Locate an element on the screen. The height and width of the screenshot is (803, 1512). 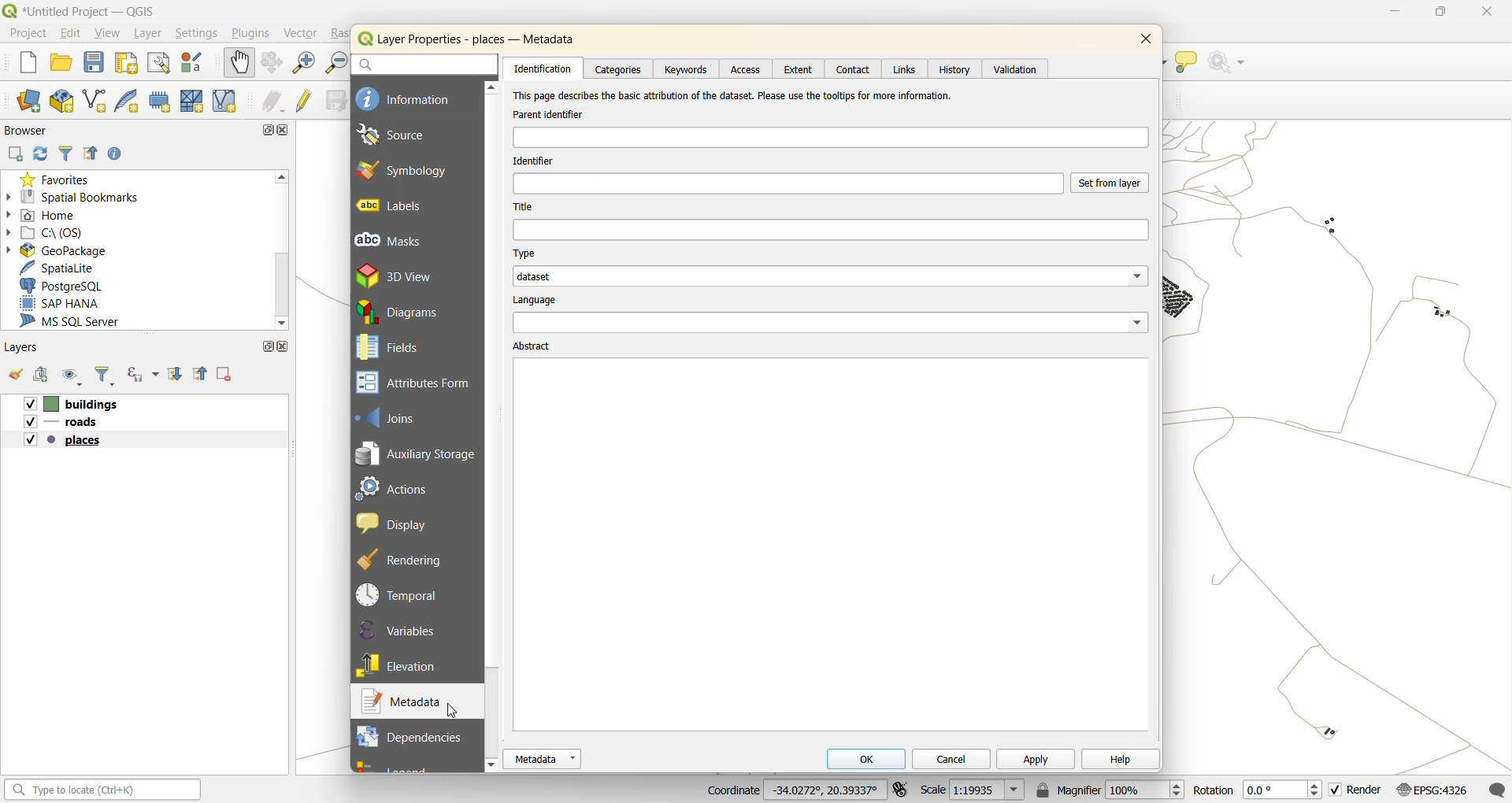
cursor is located at coordinates (455, 710).